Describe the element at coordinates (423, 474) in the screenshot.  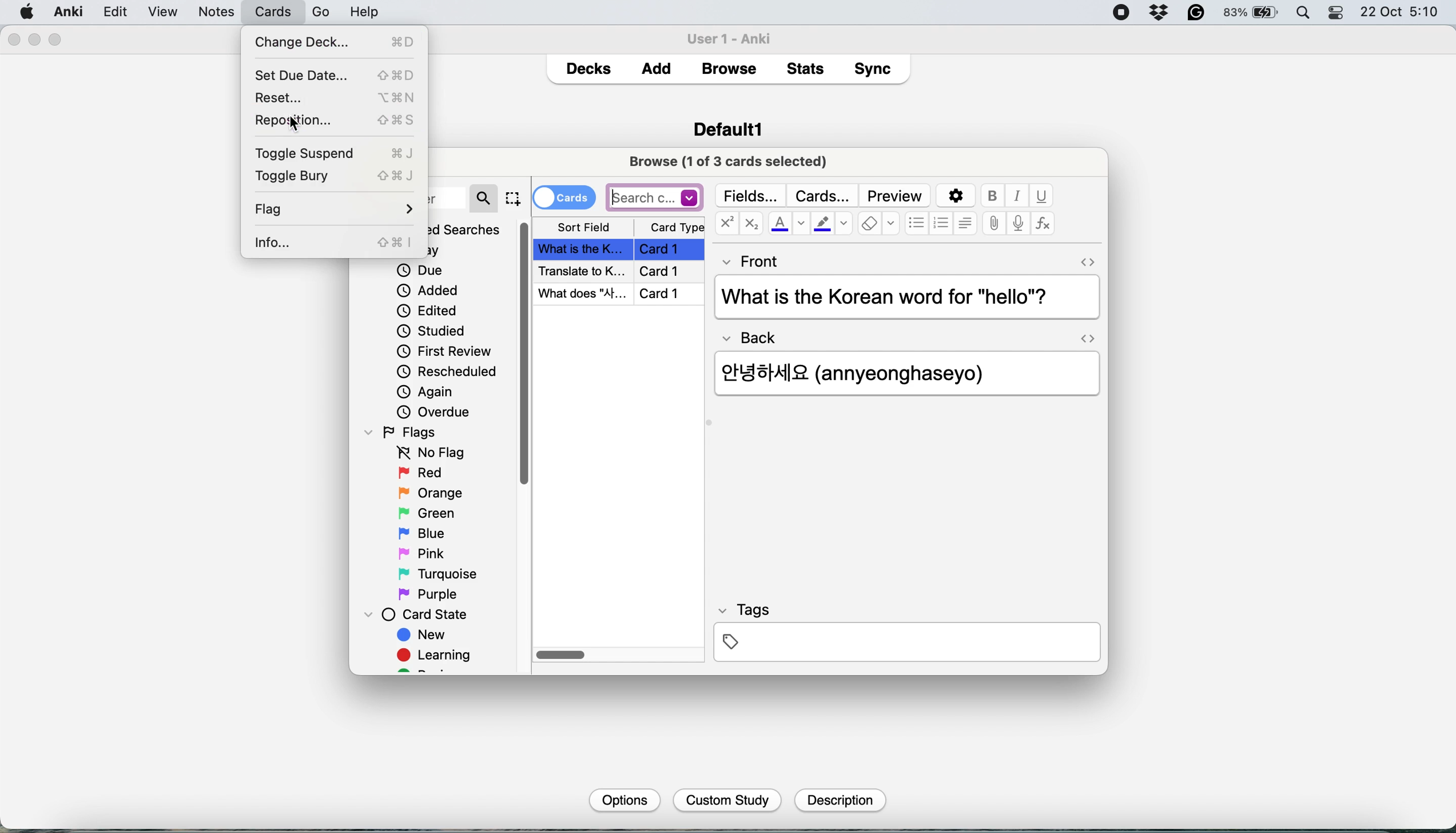
I see `red` at that location.